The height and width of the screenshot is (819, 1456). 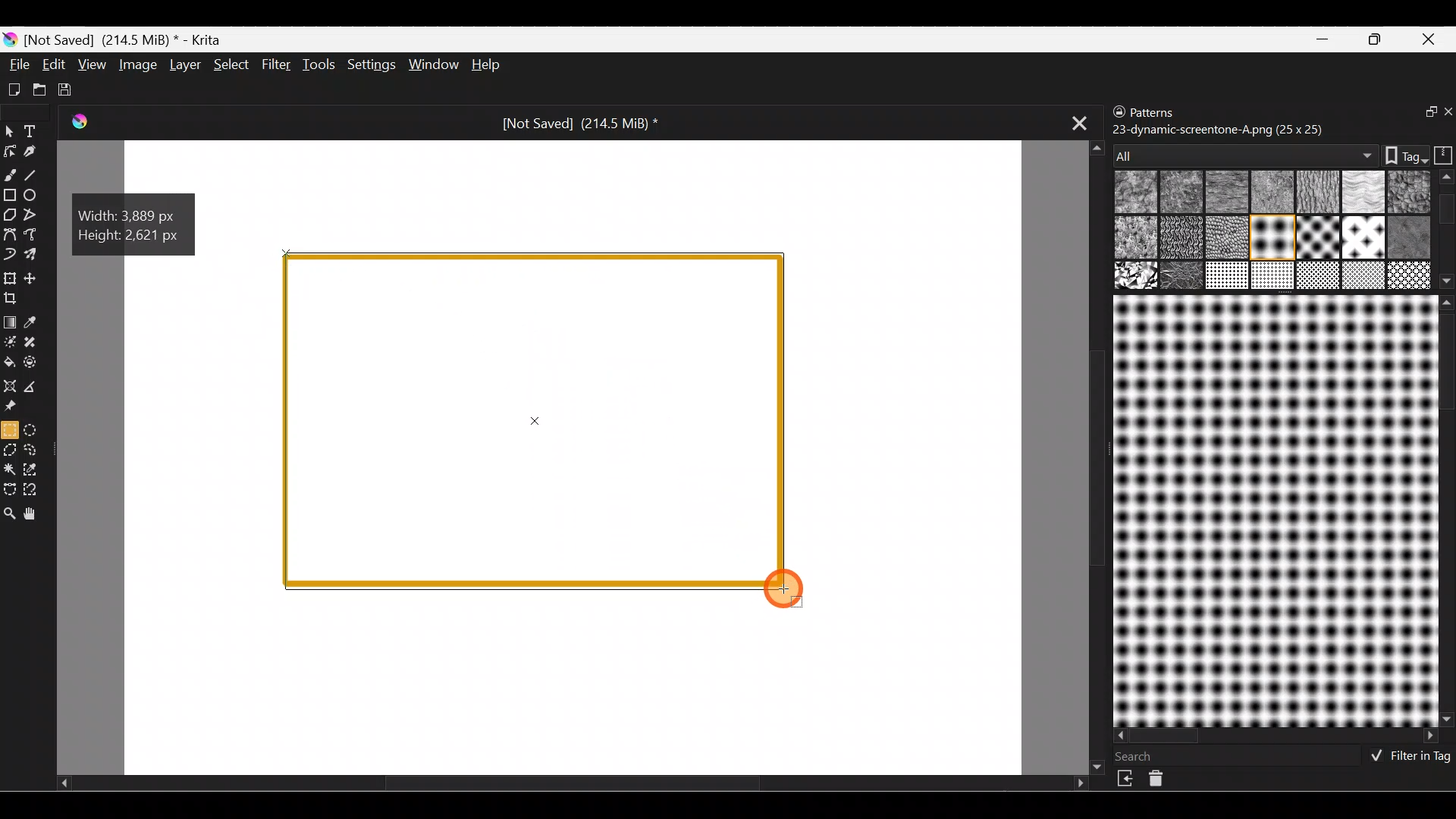 I want to click on Float docker, so click(x=1421, y=113).